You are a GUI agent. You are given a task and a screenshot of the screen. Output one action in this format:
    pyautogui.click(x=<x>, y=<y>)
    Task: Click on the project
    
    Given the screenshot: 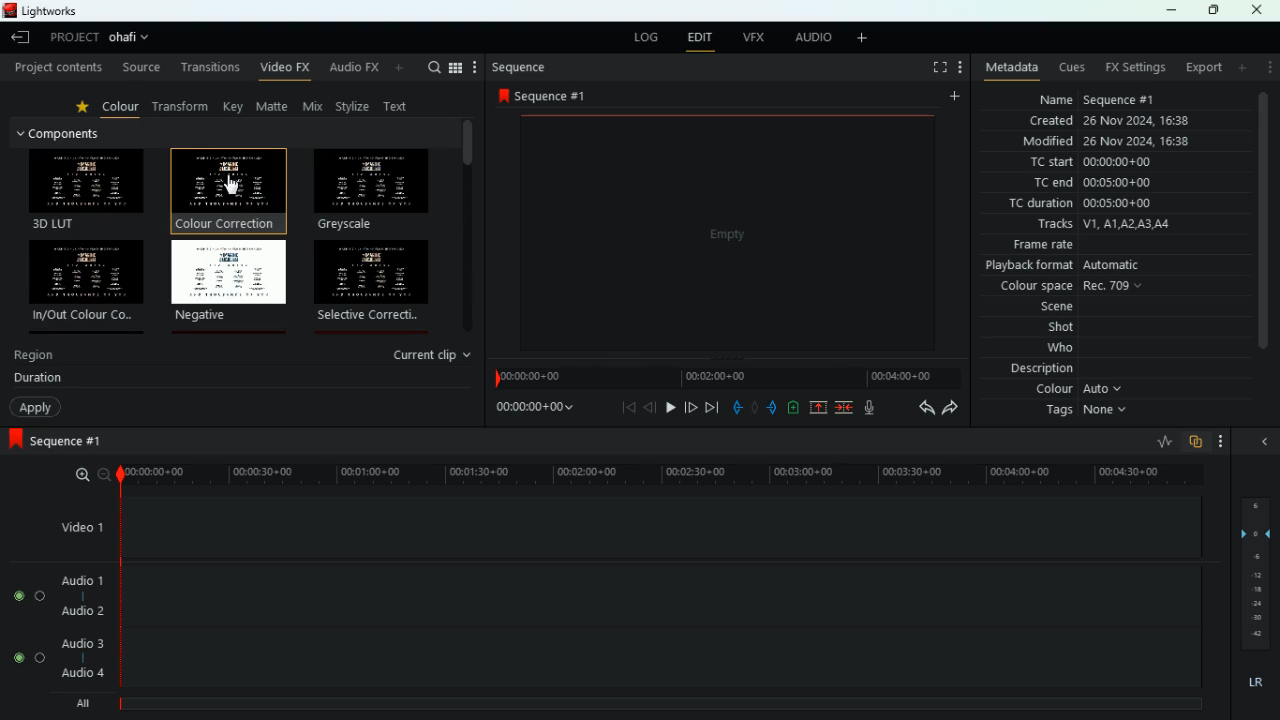 What is the action you would take?
    pyautogui.click(x=70, y=38)
    